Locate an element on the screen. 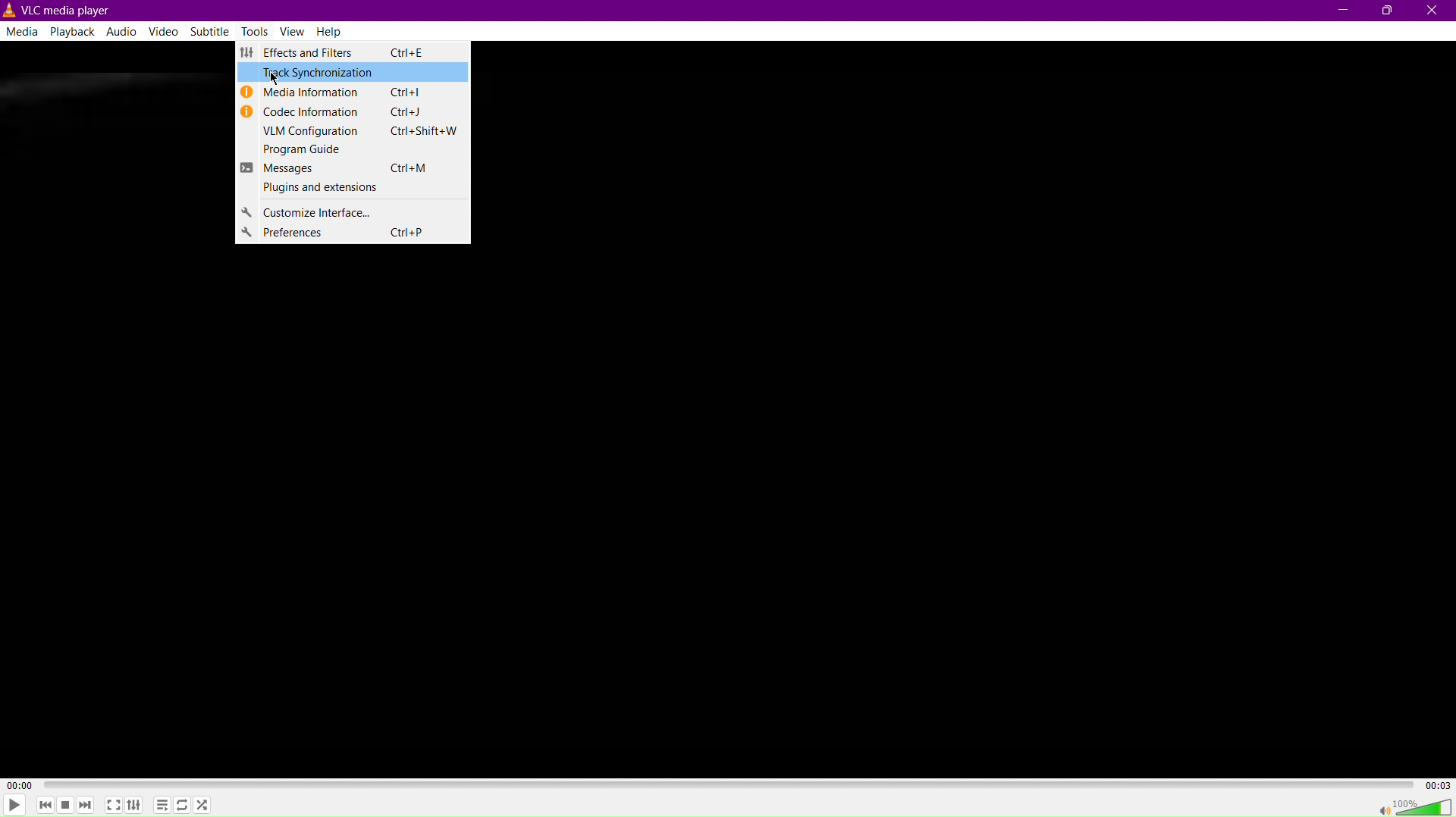 This screenshot has width=1456, height=817. Total/remaining time is located at coordinates (1439, 784).